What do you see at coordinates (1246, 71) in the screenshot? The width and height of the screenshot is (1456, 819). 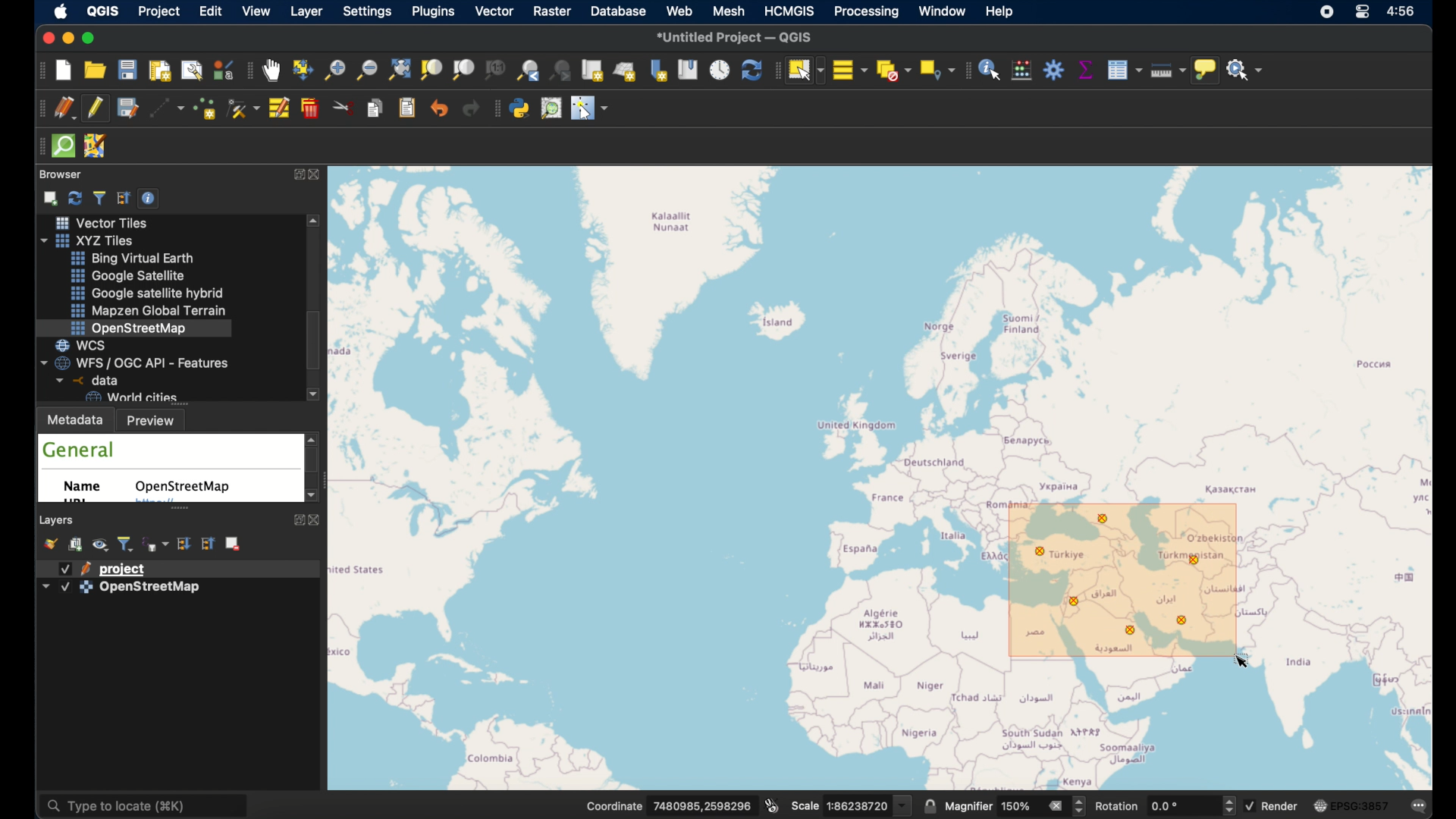 I see `no action selected` at bounding box center [1246, 71].